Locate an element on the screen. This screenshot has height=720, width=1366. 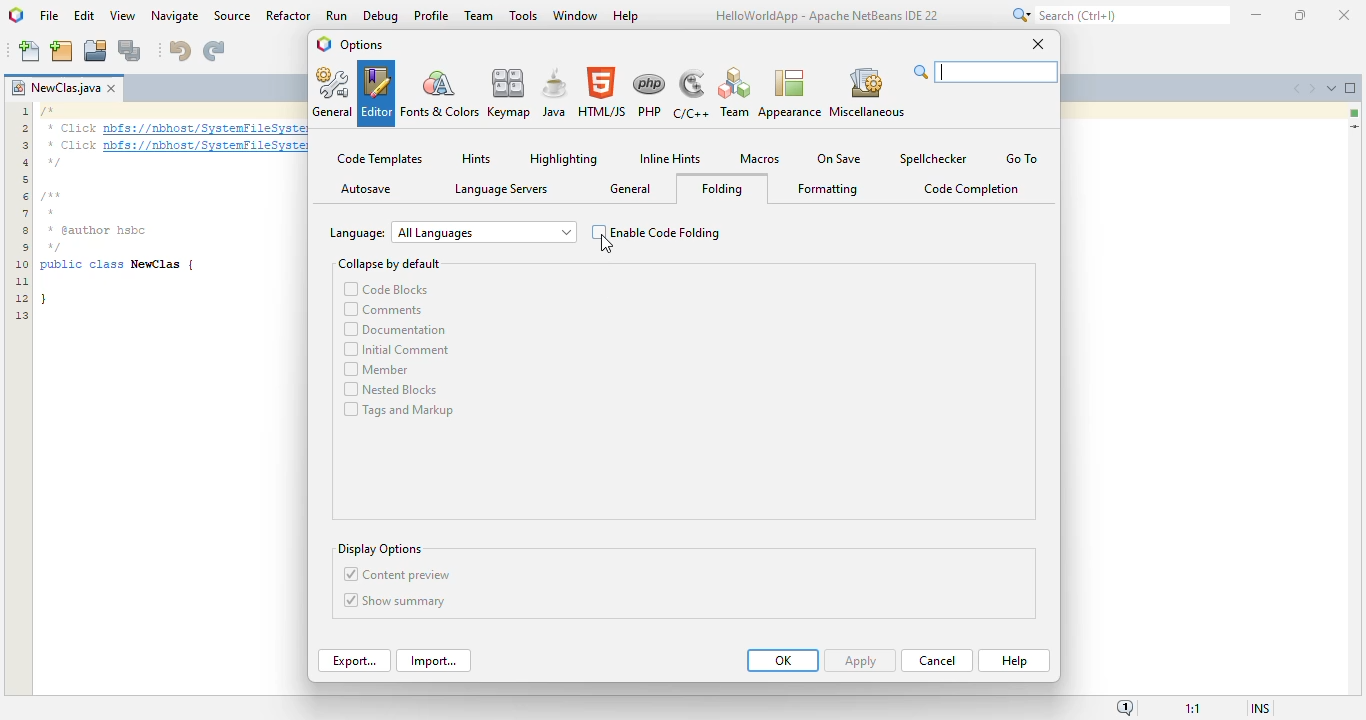
navigate is located at coordinates (174, 16).